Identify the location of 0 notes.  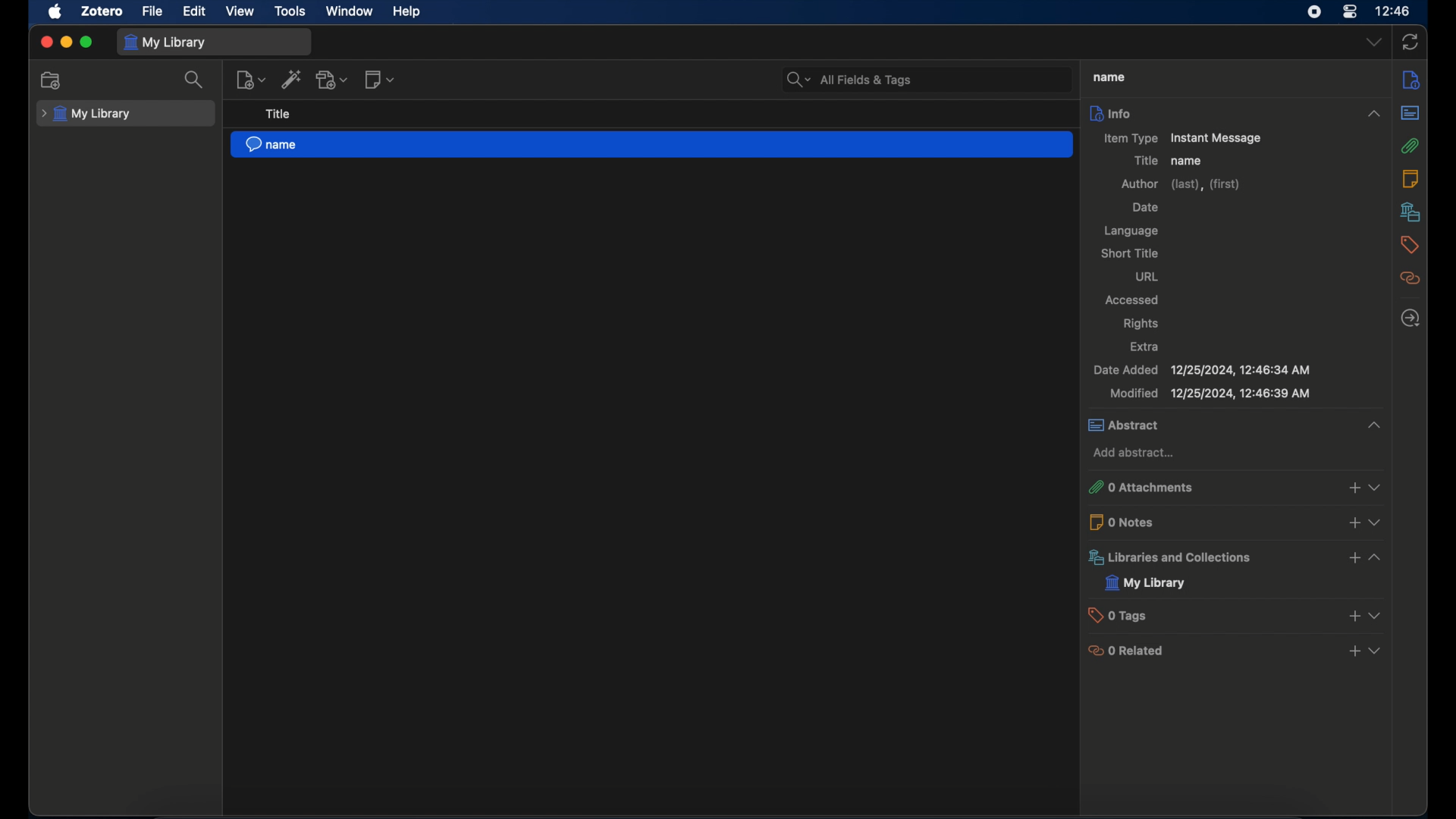
(1234, 521).